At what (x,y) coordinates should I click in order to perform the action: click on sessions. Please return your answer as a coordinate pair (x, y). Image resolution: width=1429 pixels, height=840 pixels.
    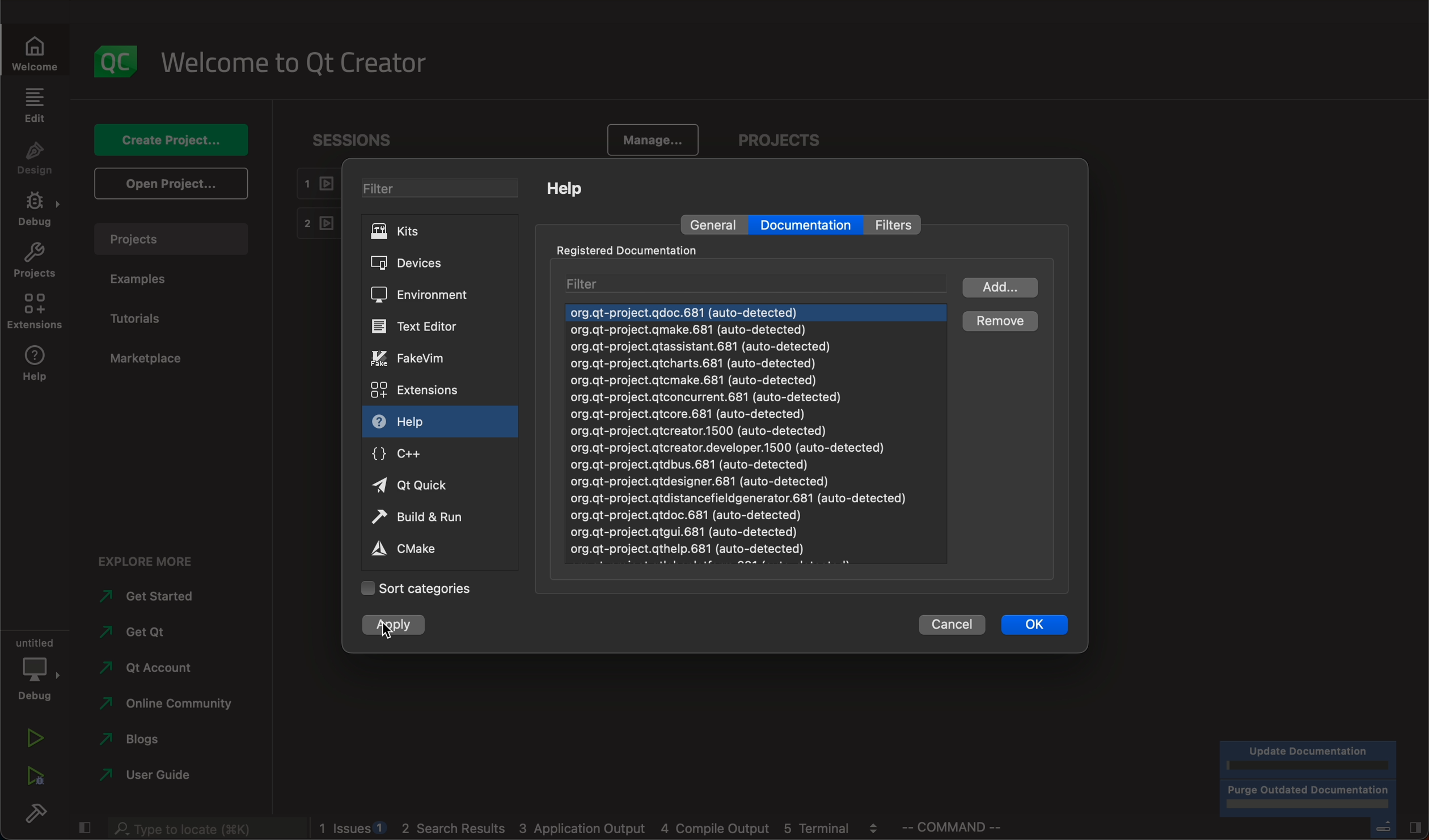
    Looking at the image, I should click on (357, 141).